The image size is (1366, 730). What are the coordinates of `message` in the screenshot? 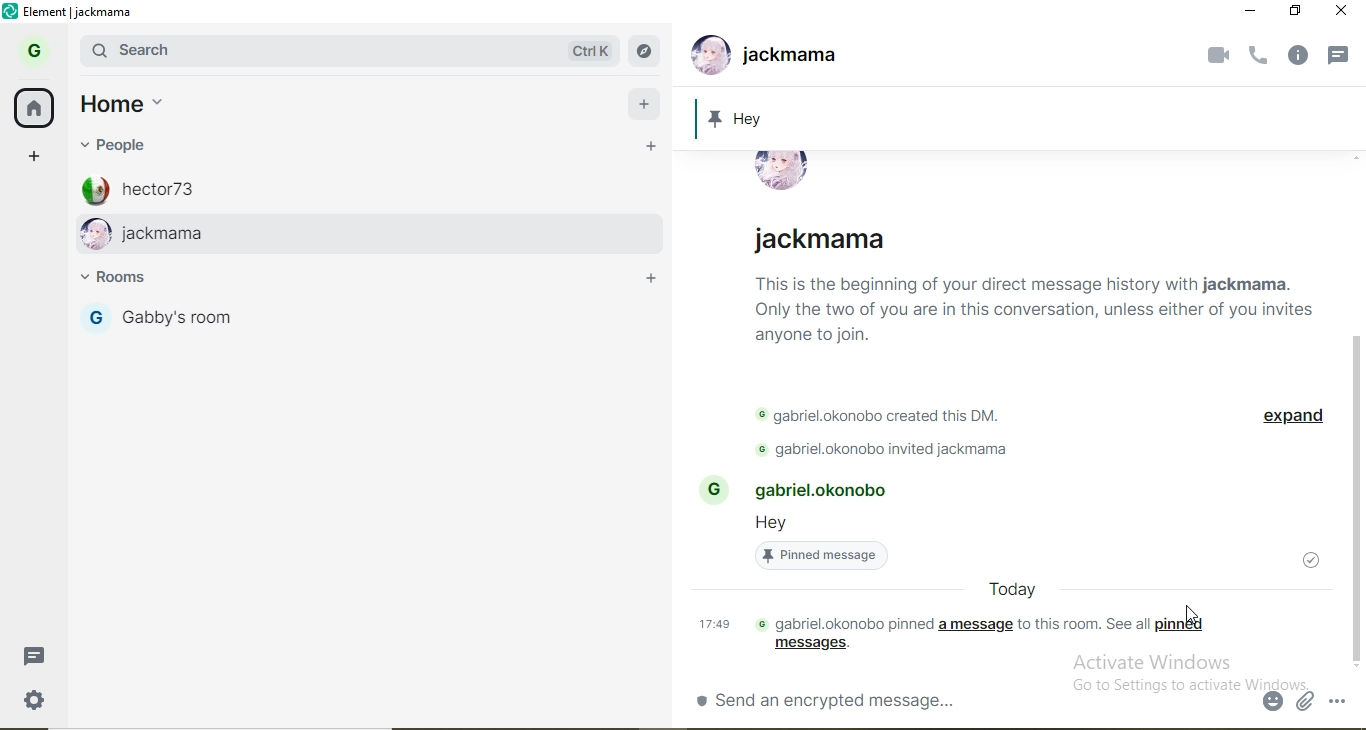 It's located at (974, 625).